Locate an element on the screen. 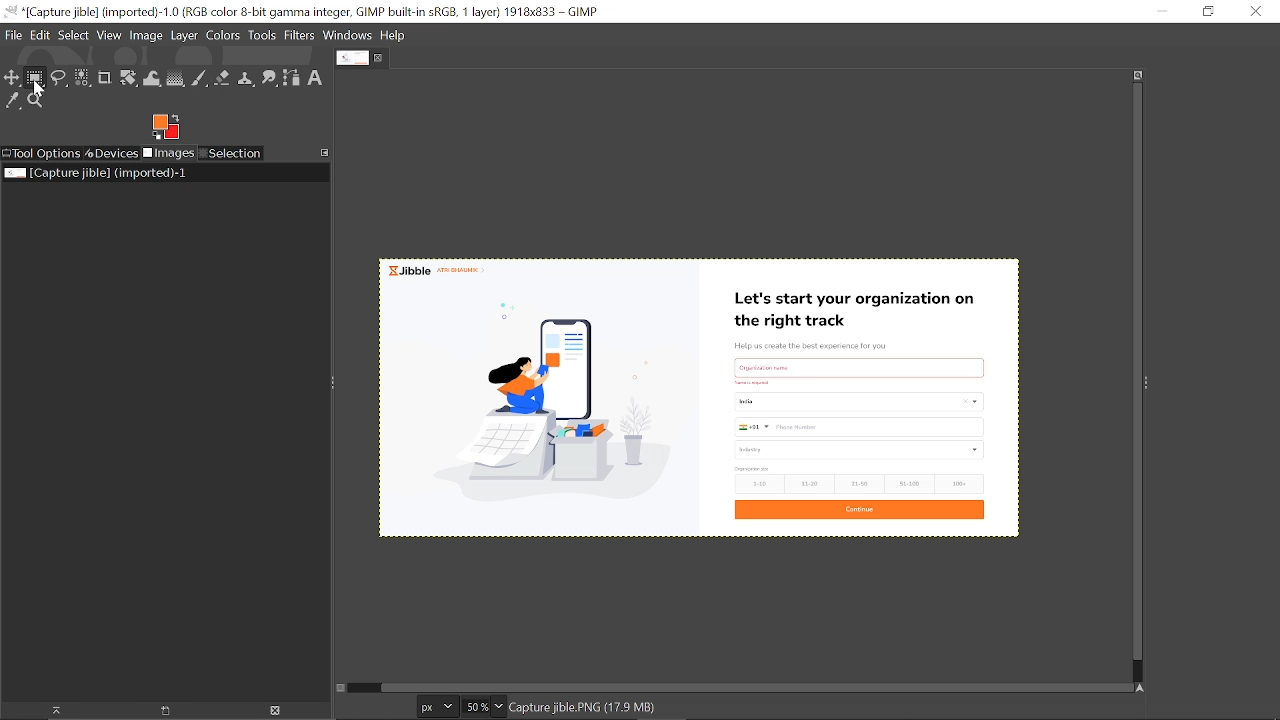  Toggle quick mask on/off is located at coordinates (344, 689).